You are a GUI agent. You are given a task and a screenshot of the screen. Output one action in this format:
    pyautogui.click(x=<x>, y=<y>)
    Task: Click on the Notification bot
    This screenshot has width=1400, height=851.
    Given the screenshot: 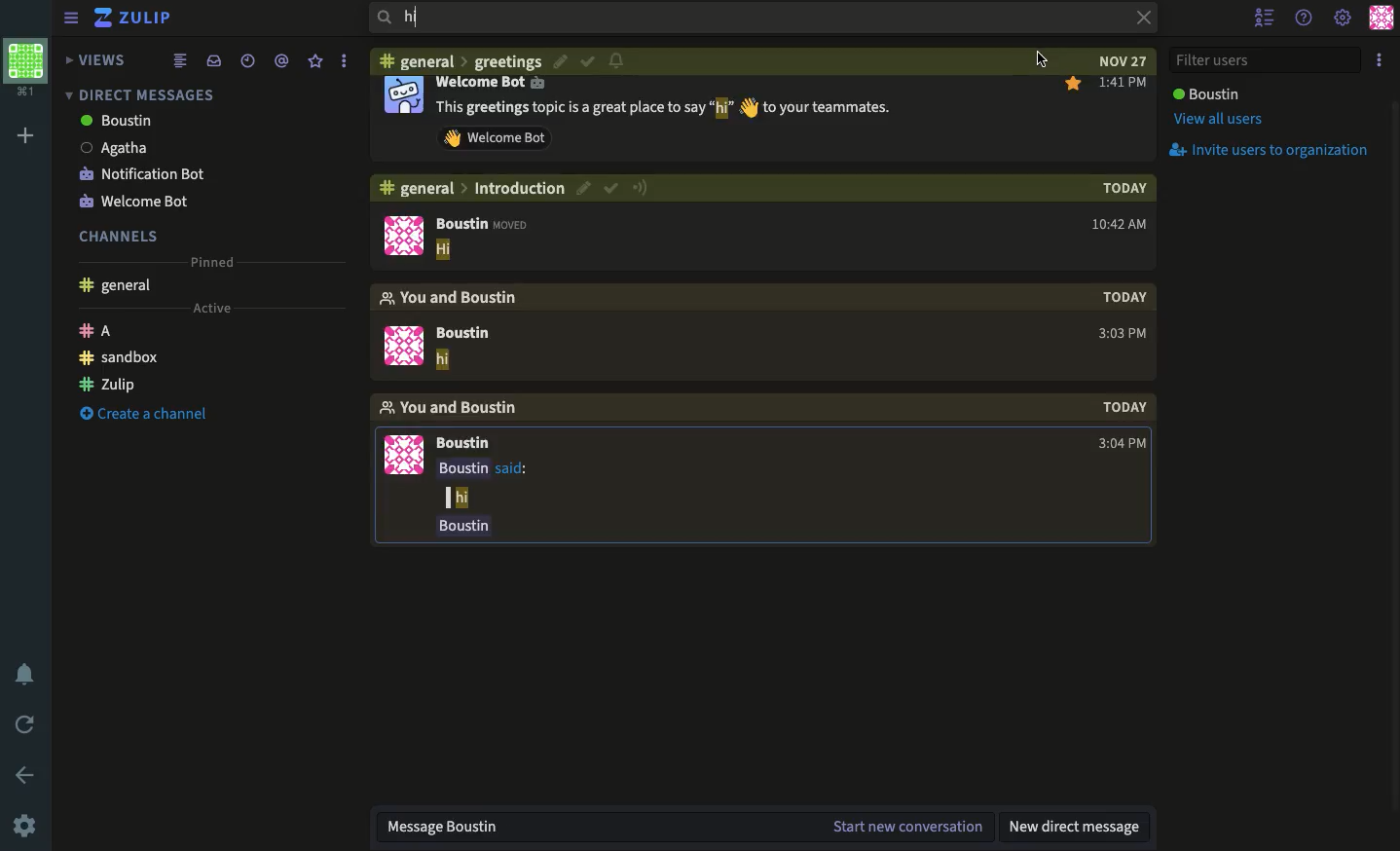 What is the action you would take?
    pyautogui.click(x=143, y=172)
    